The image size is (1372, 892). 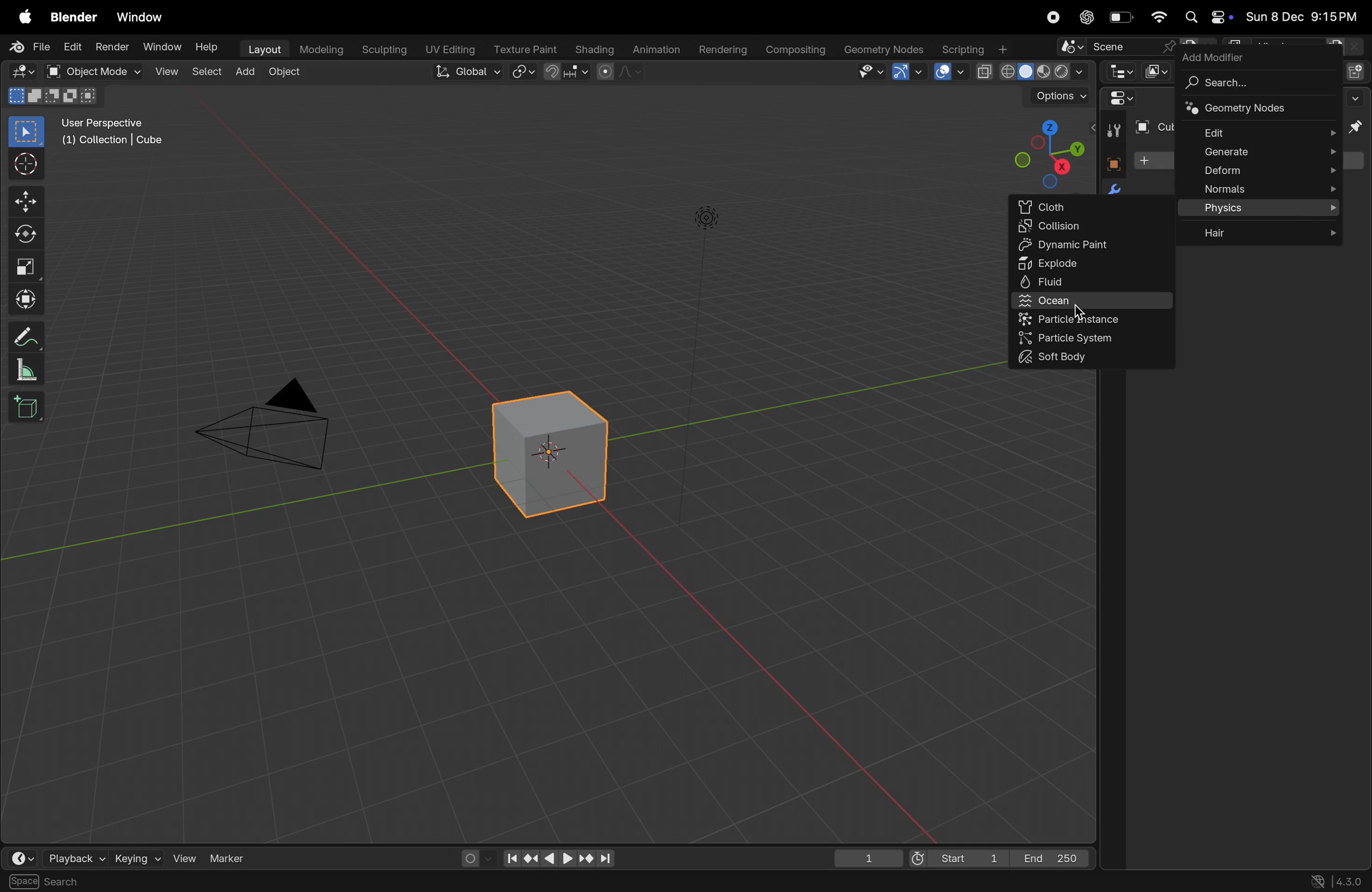 What do you see at coordinates (1217, 56) in the screenshot?
I see `add modifier` at bounding box center [1217, 56].